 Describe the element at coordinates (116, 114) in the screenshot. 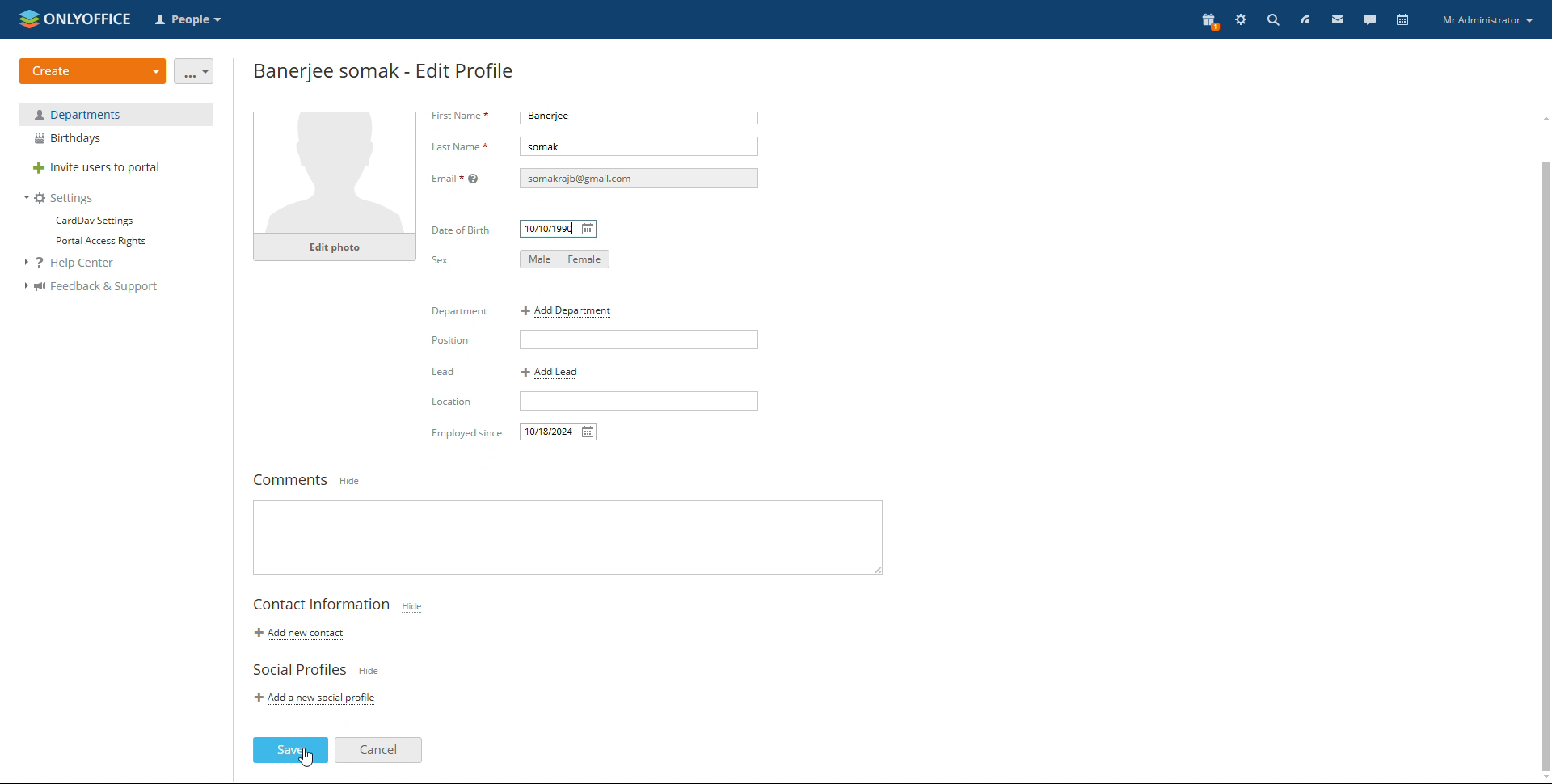

I see `department` at that location.